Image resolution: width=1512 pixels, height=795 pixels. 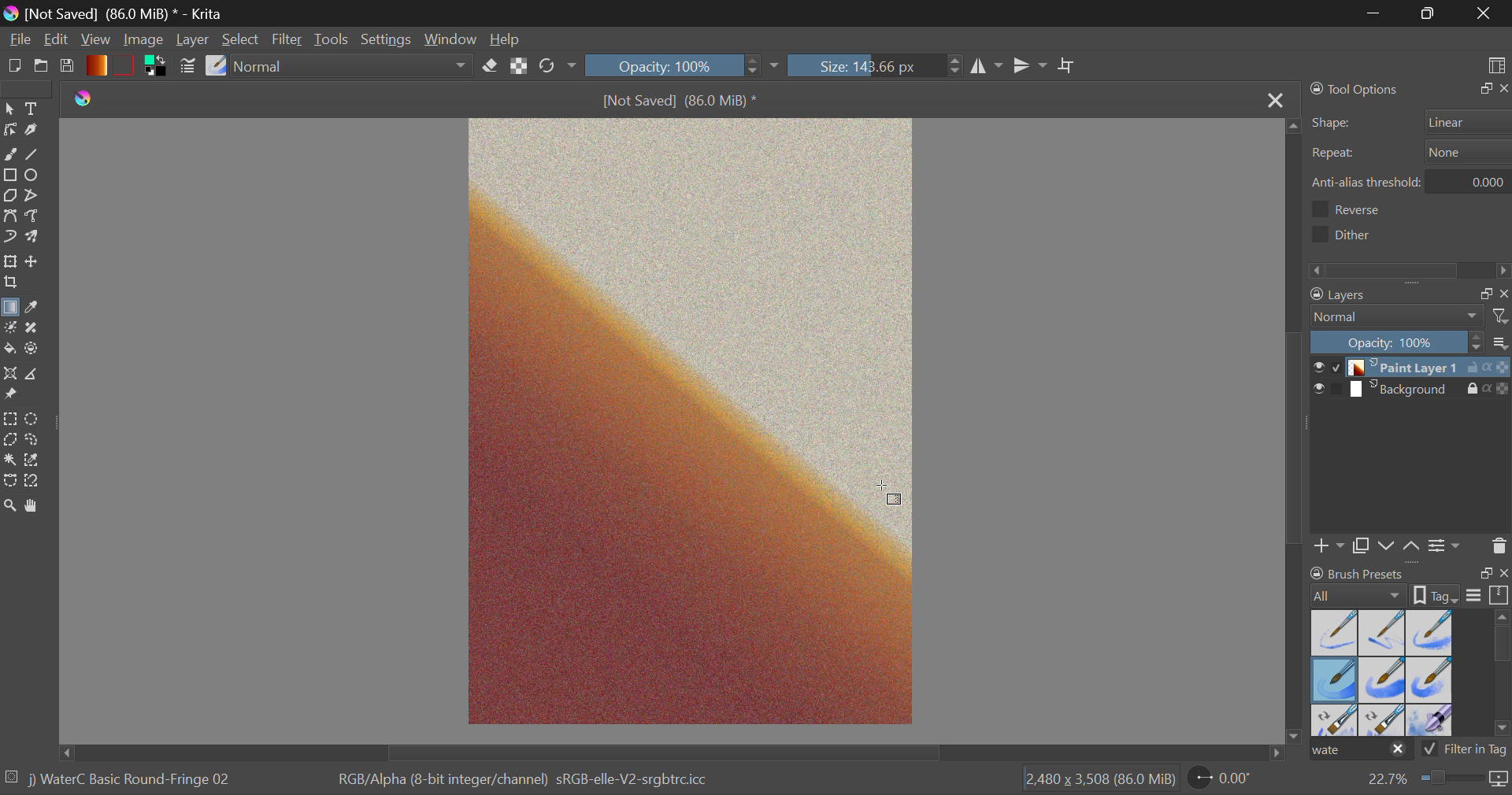 I want to click on Move Layers, so click(x=32, y=261).